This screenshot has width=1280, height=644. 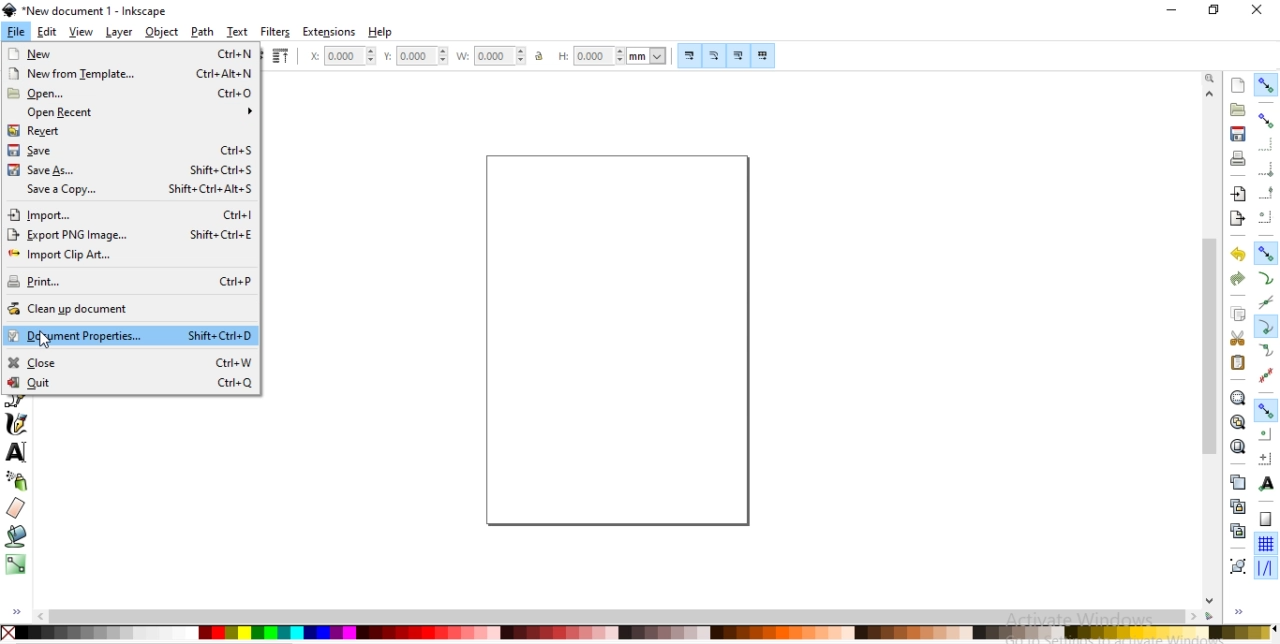 What do you see at coordinates (1266, 569) in the screenshot?
I see `snap guide` at bounding box center [1266, 569].